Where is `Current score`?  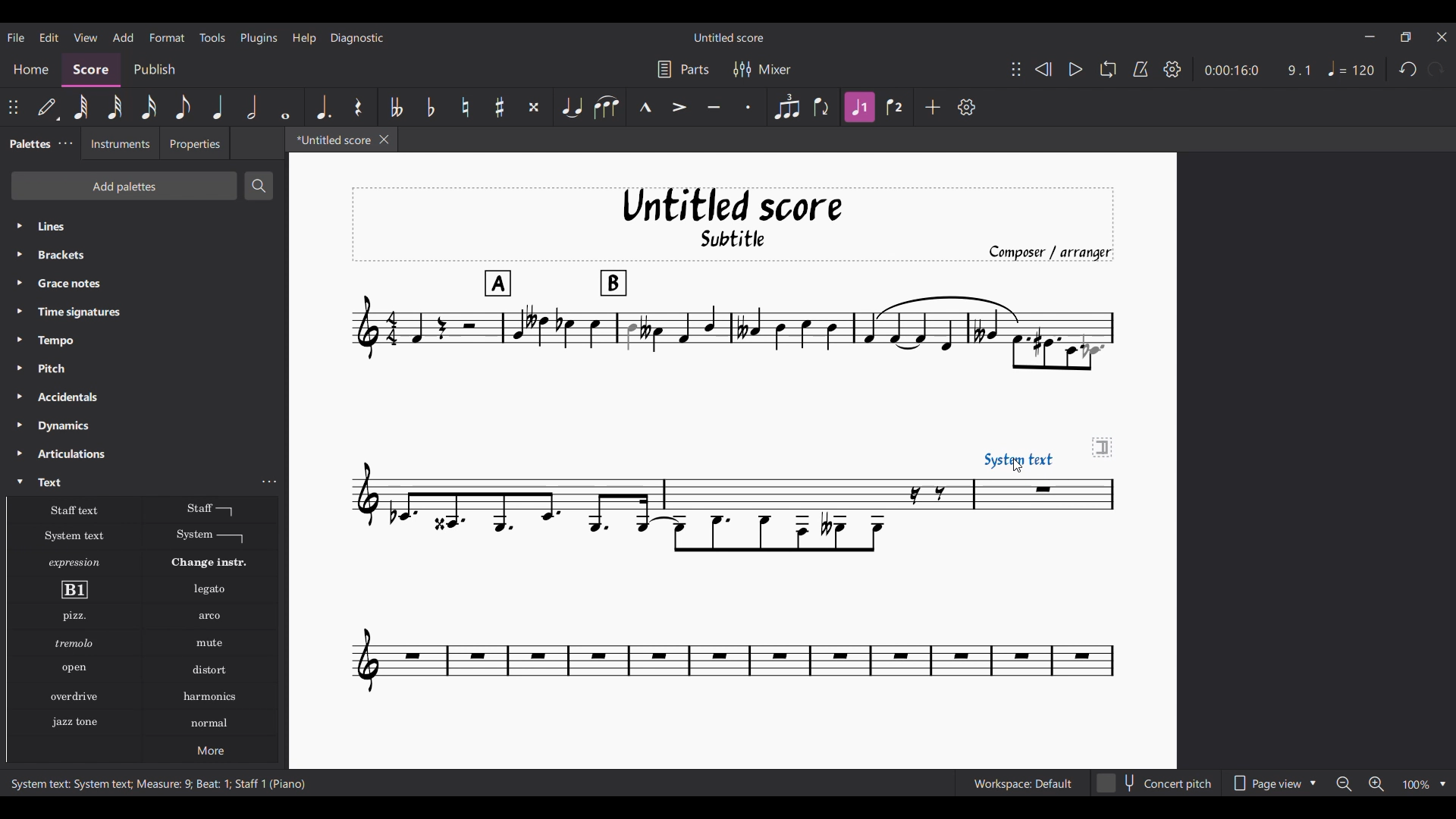
Current score is located at coordinates (651, 441).